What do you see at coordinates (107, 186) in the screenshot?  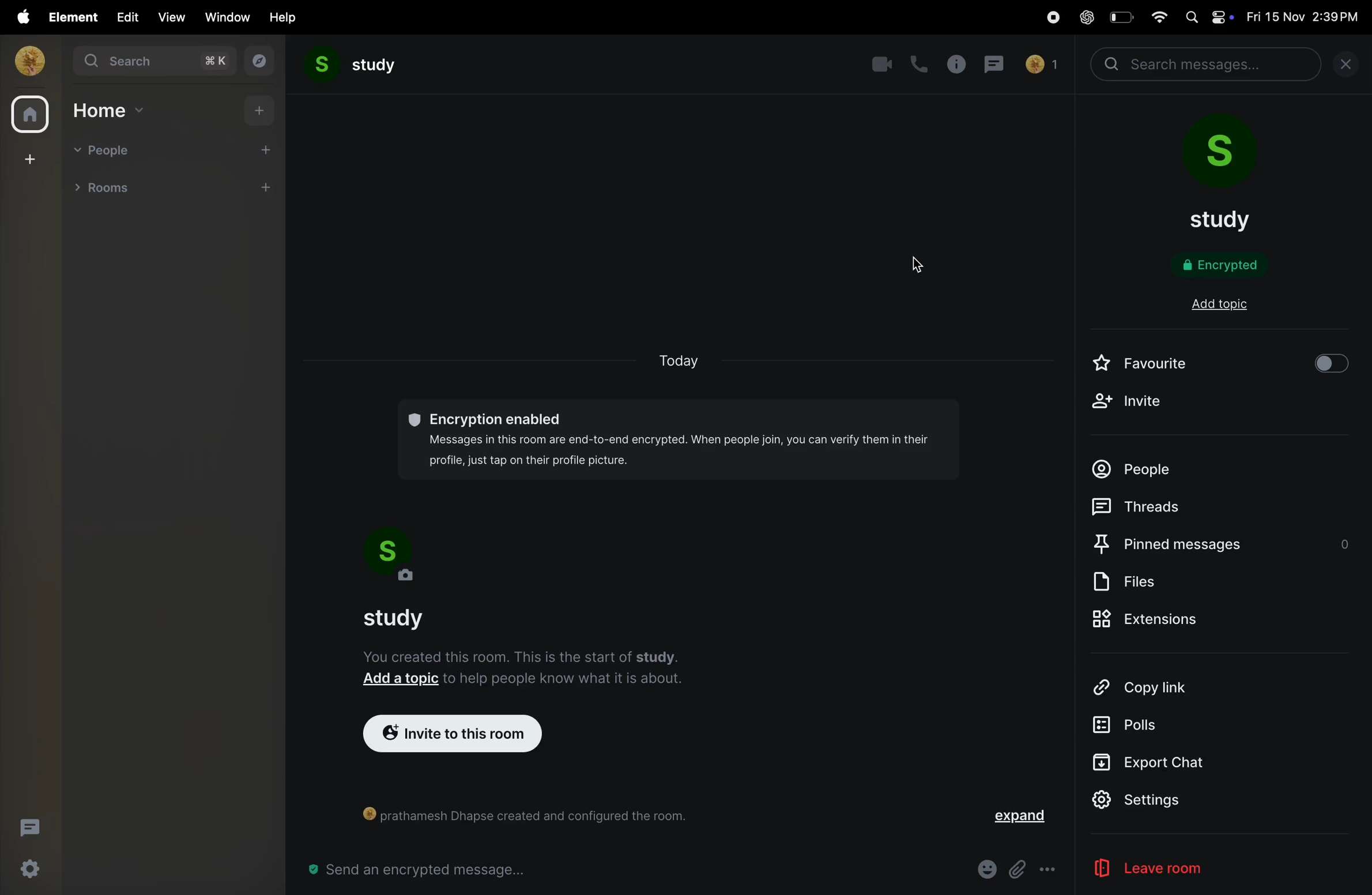 I see `rooms` at bounding box center [107, 186].